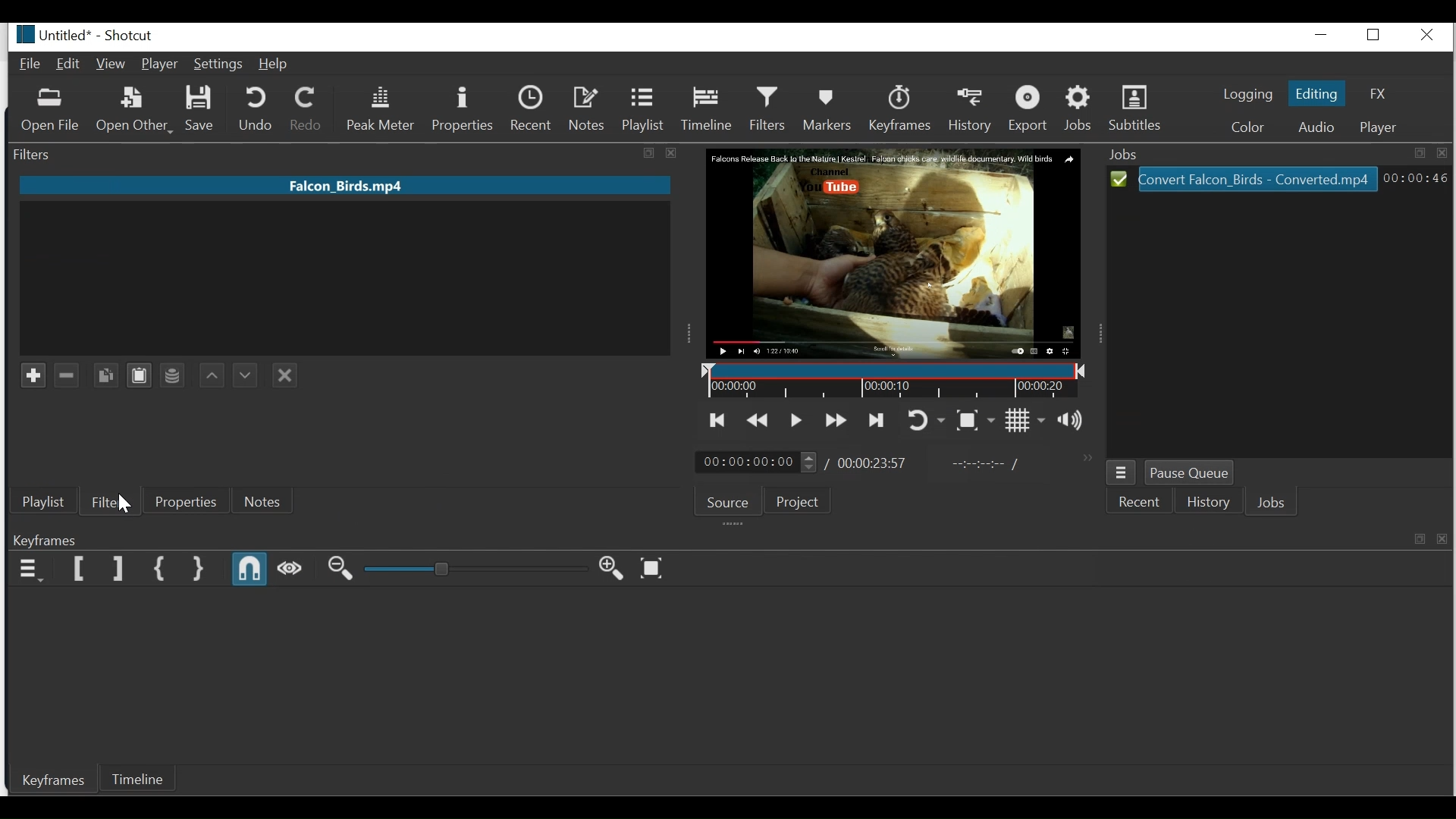 The image size is (1456, 819). Describe the element at coordinates (31, 375) in the screenshot. I see `Add a filter` at that location.